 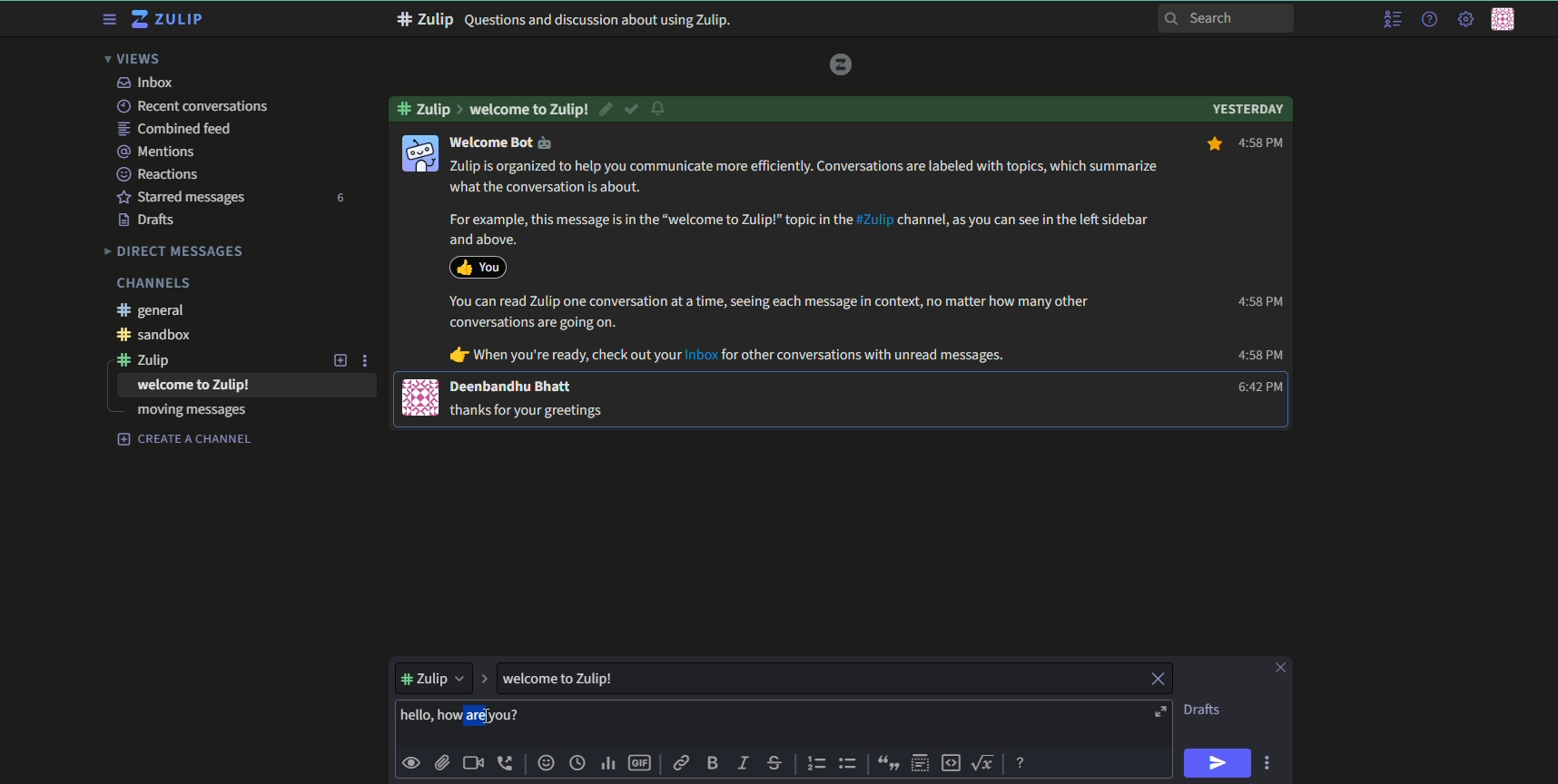 I want to click on Channels, so click(x=153, y=283).